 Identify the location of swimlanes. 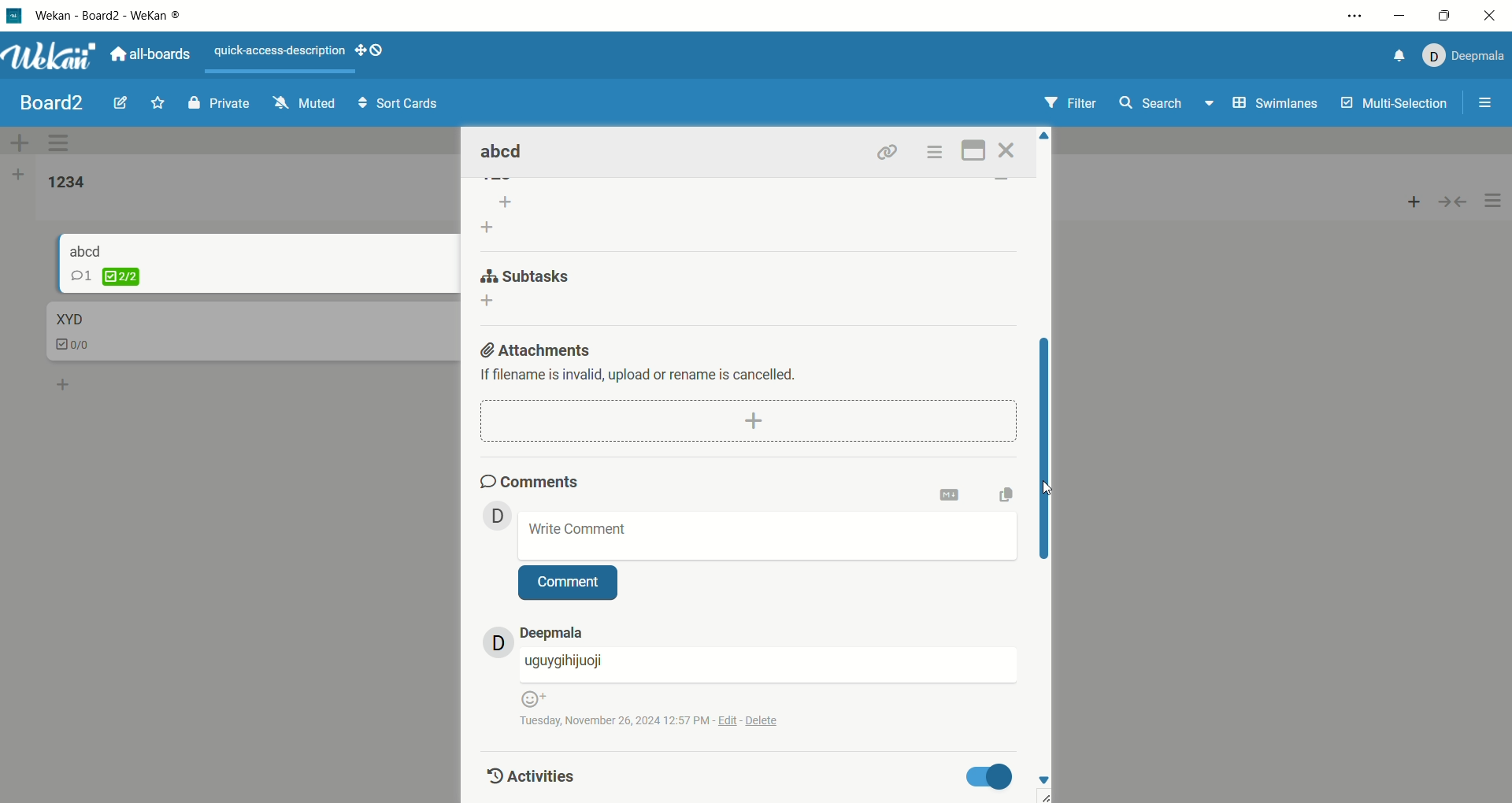
(1277, 105).